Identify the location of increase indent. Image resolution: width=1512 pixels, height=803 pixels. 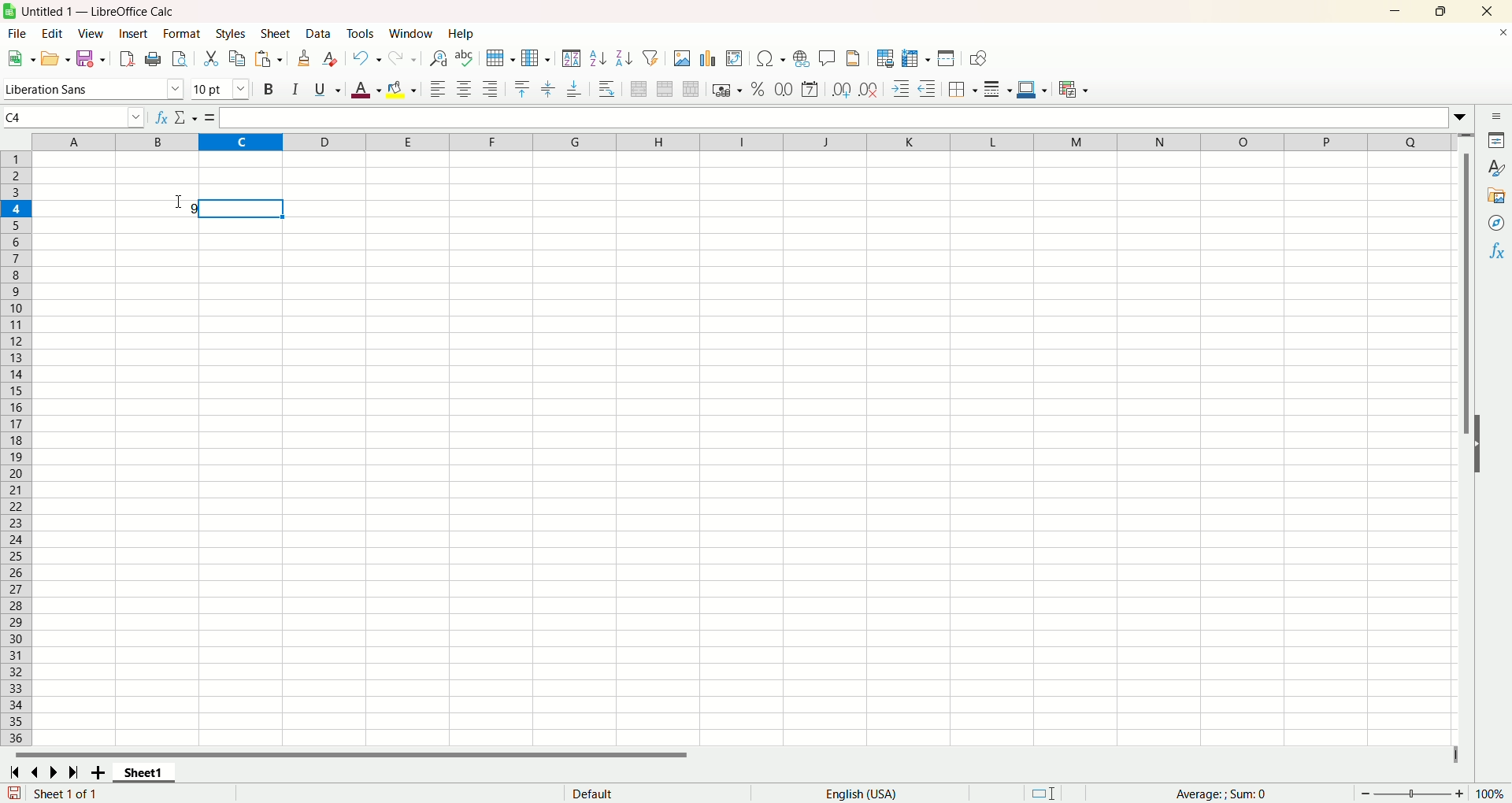
(903, 90).